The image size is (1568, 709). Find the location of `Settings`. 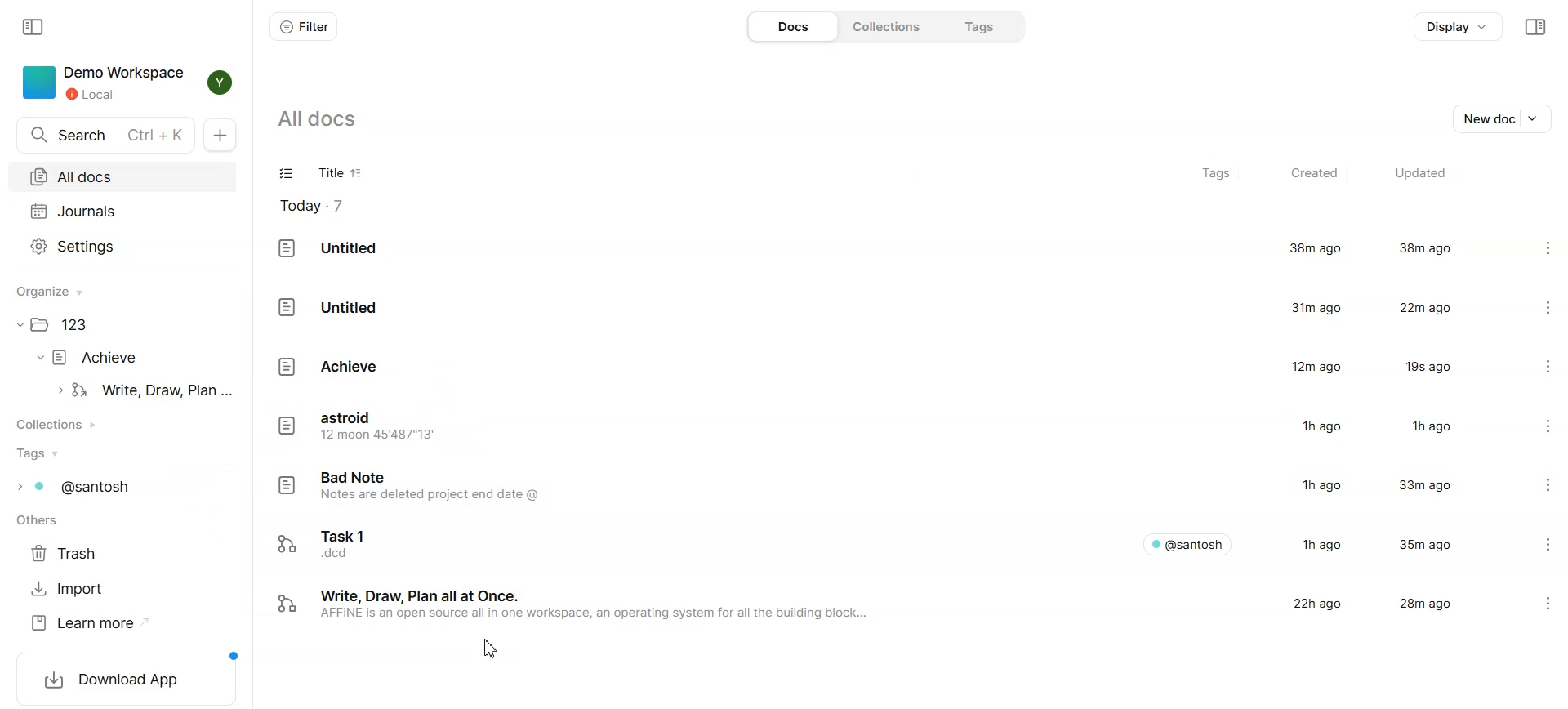

Settings is located at coordinates (1535, 542).